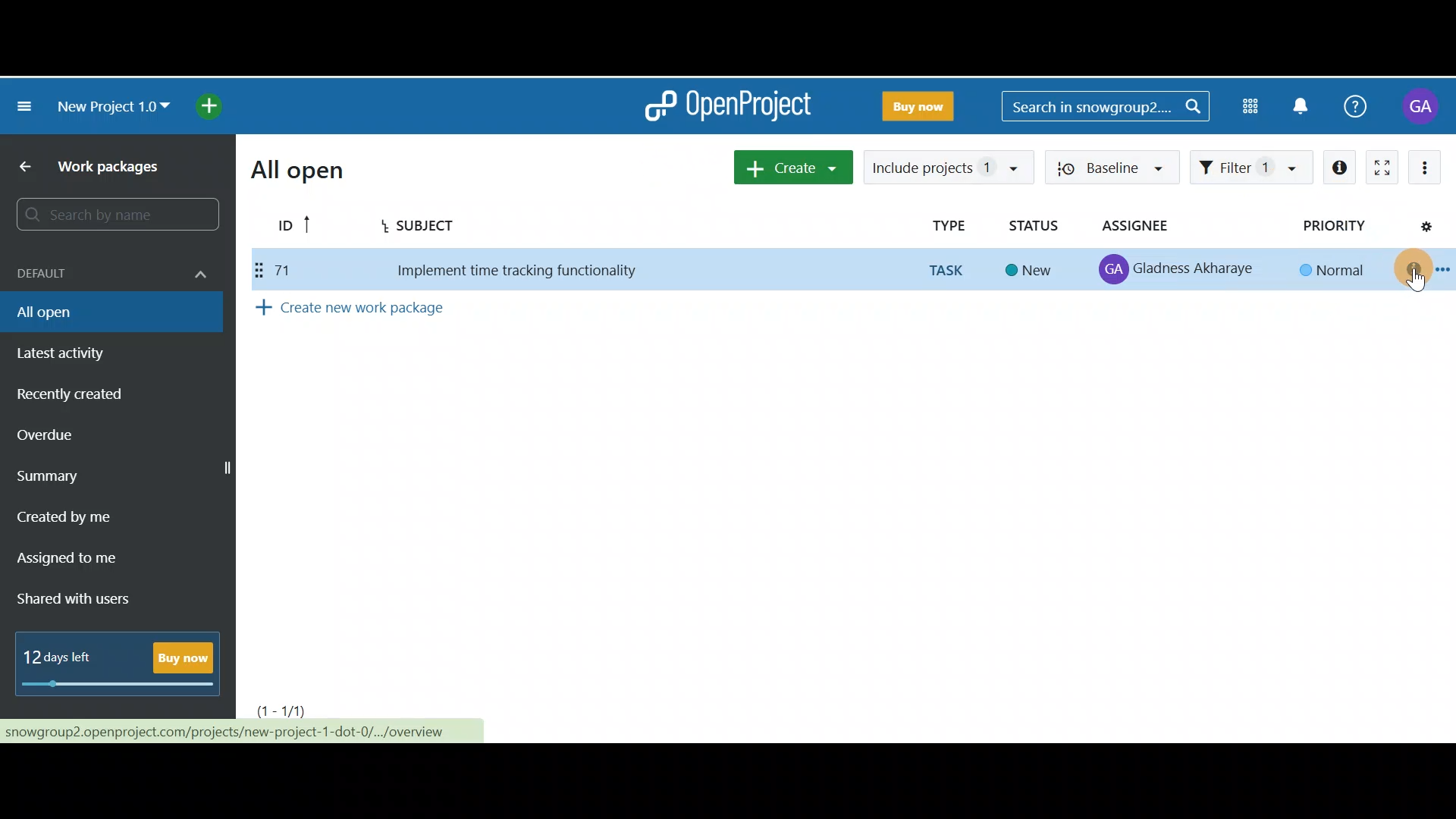 The image size is (1456, 819). Describe the element at coordinates (428, 224) in the screenshot. I see `Subject` at that location.